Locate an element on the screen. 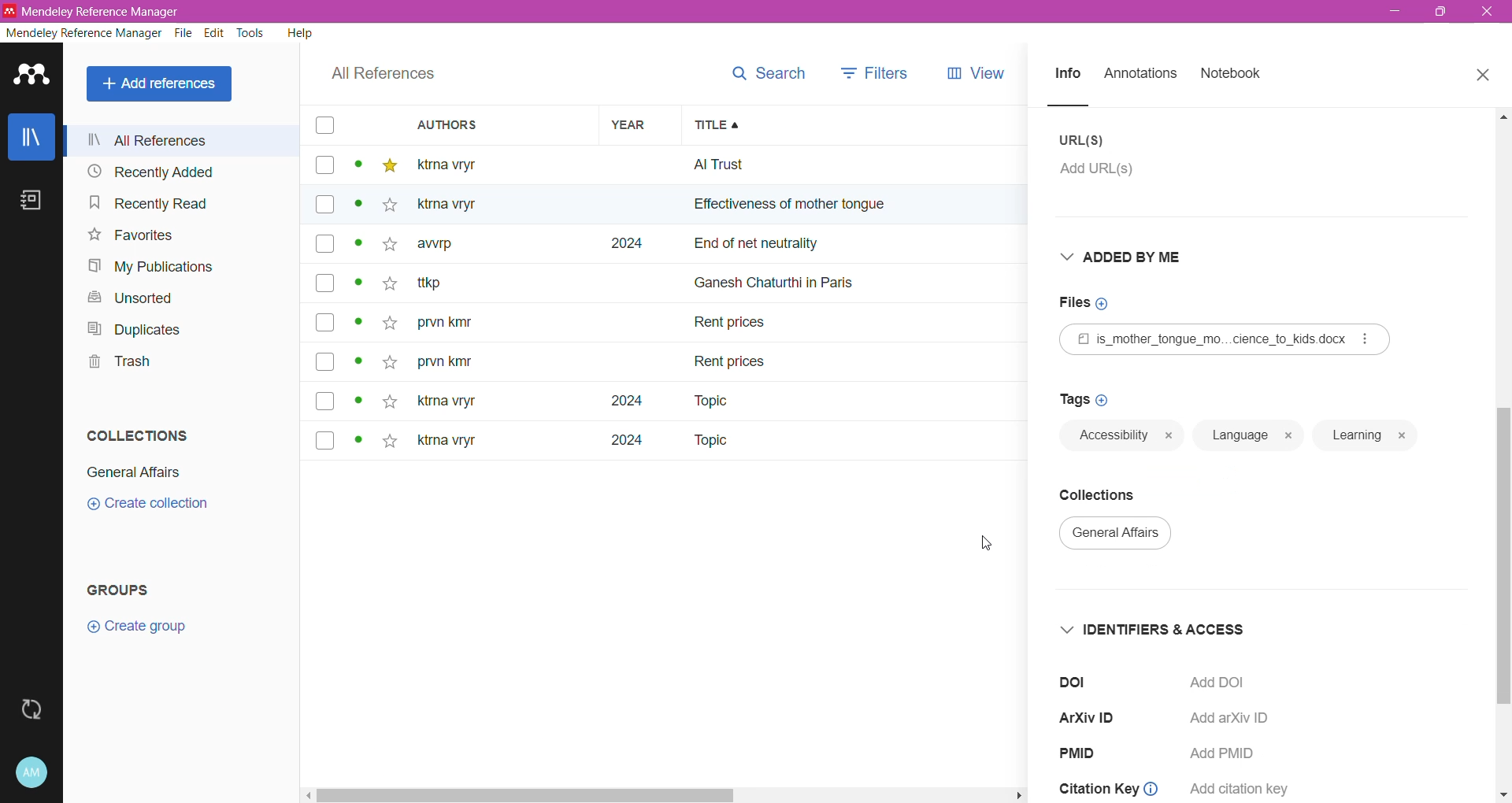  All References is located at coordinates (162, 84).